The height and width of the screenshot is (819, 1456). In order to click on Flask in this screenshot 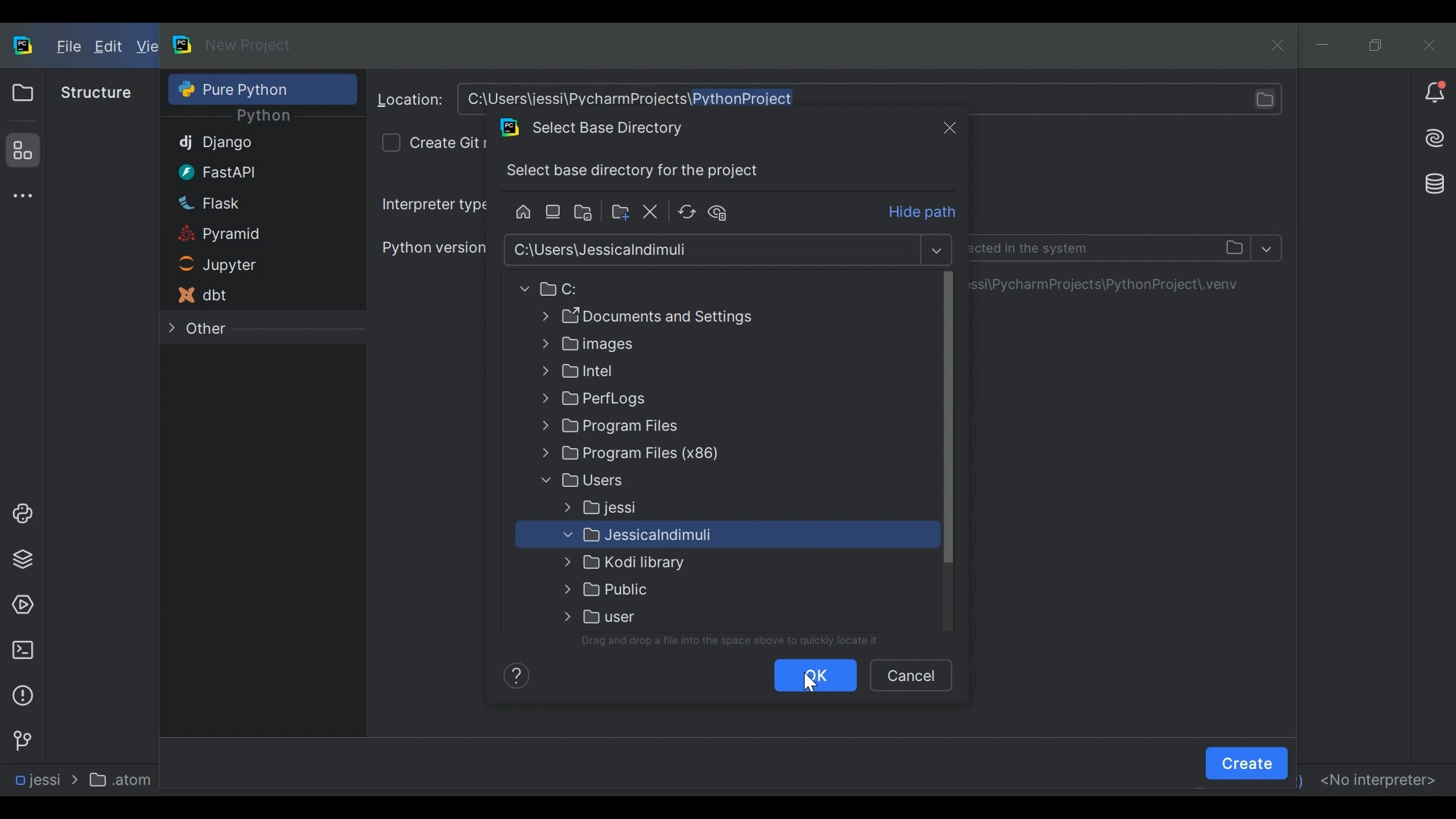, I will do `click(242, 202)`.